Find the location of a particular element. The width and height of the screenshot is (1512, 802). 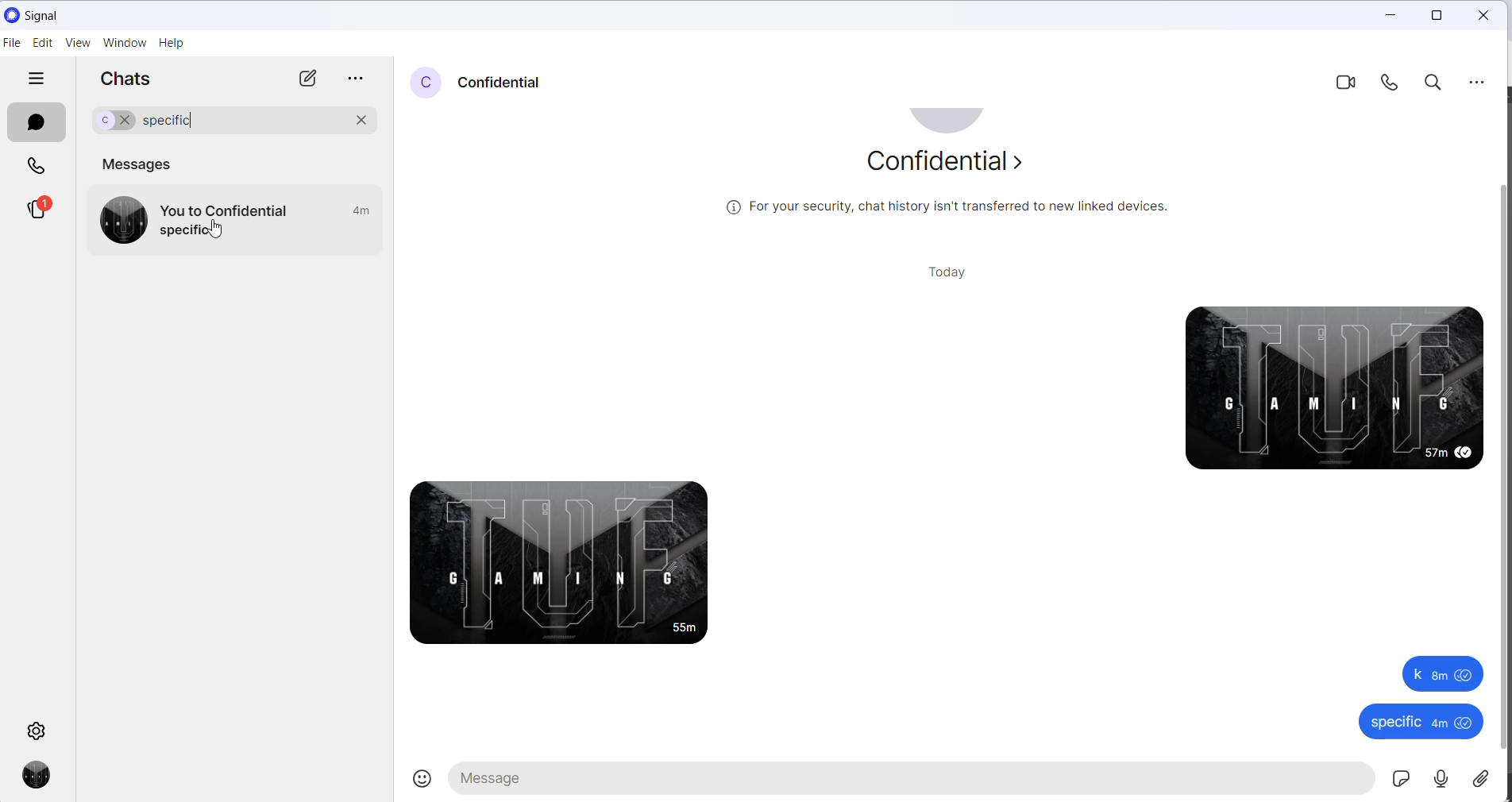

close is located at coordinates (1393, 15).